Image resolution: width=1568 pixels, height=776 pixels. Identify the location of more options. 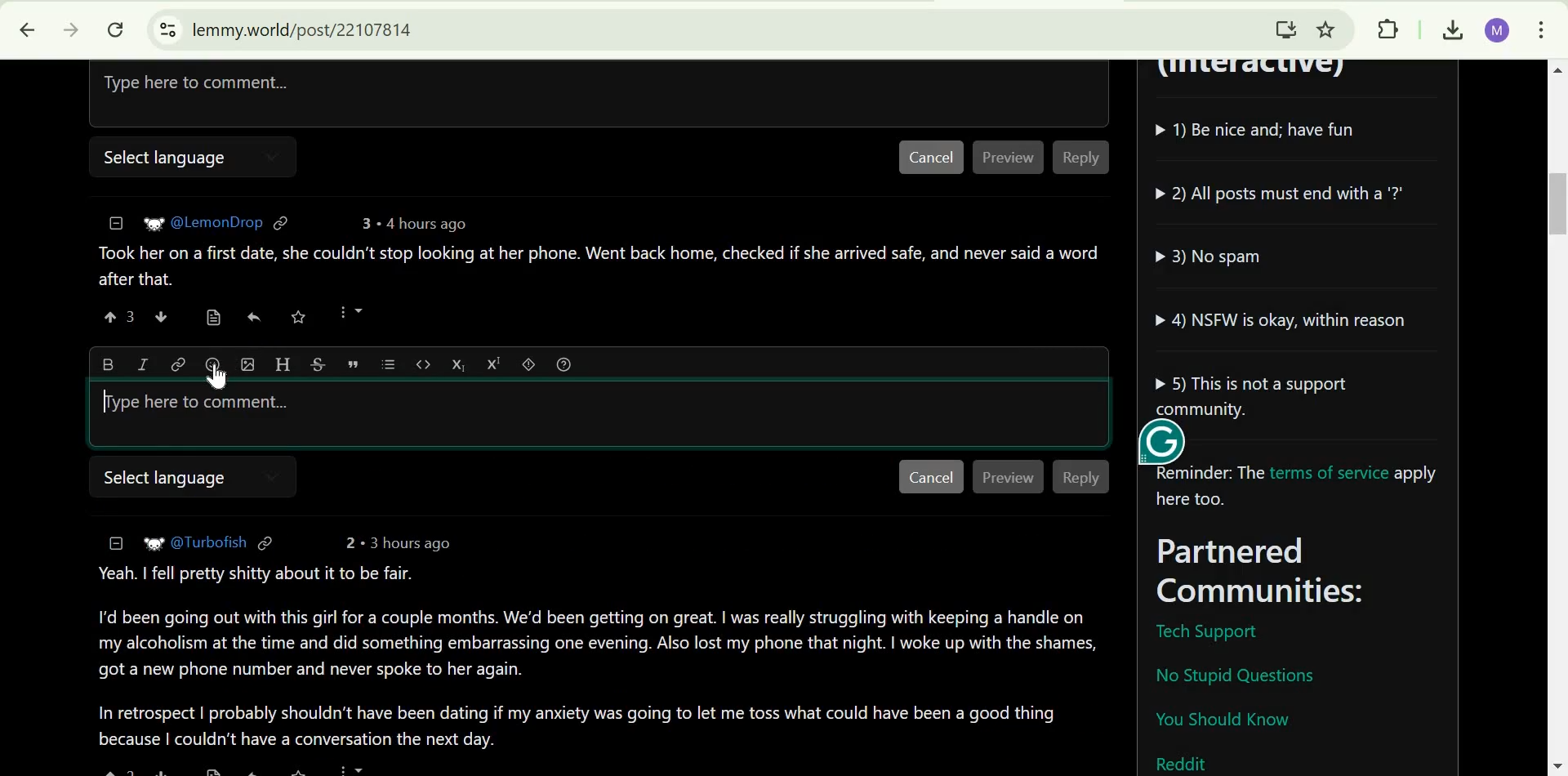
(351, 312).